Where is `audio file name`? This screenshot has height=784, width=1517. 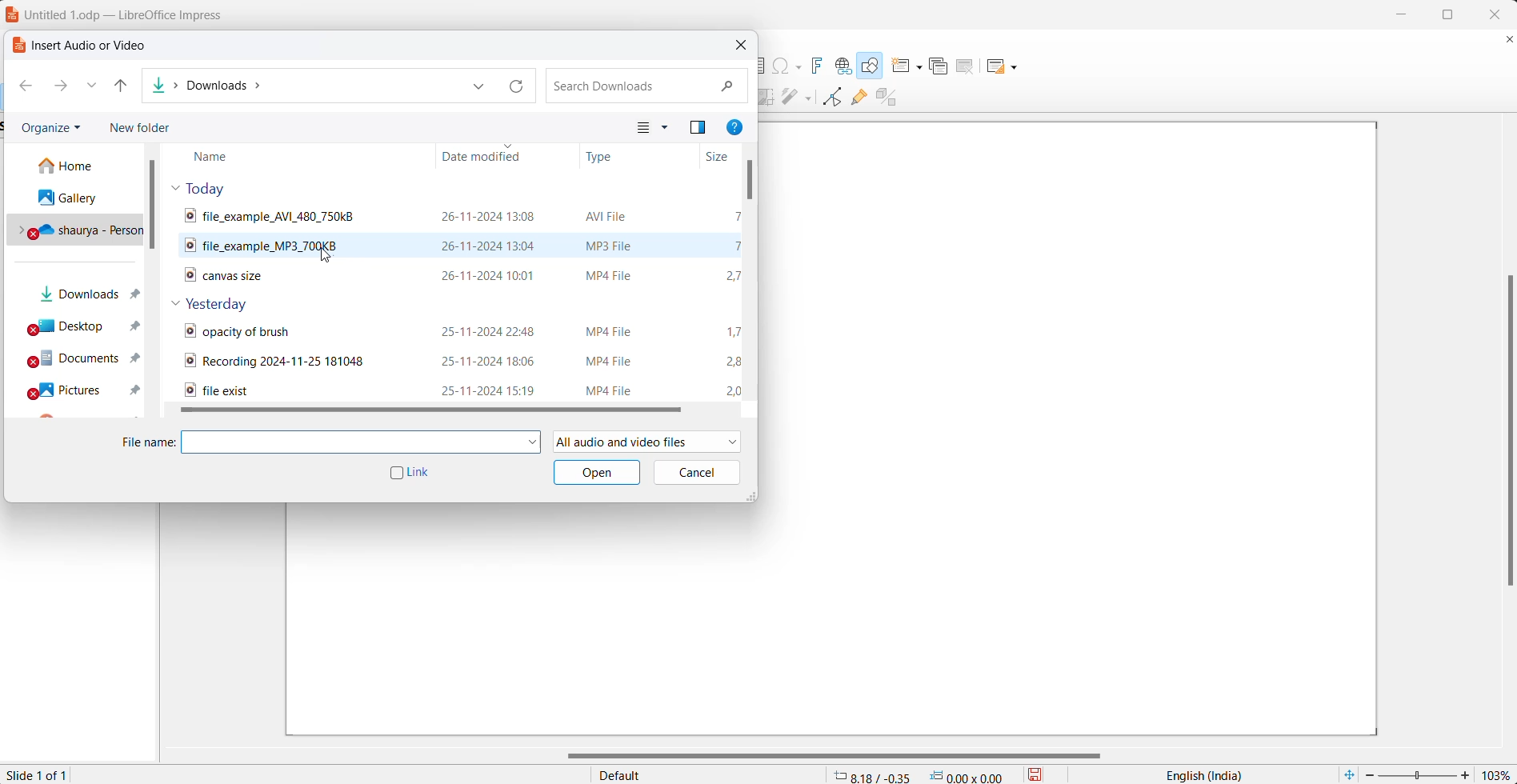 audio file name is located at coordinates (243, 246).